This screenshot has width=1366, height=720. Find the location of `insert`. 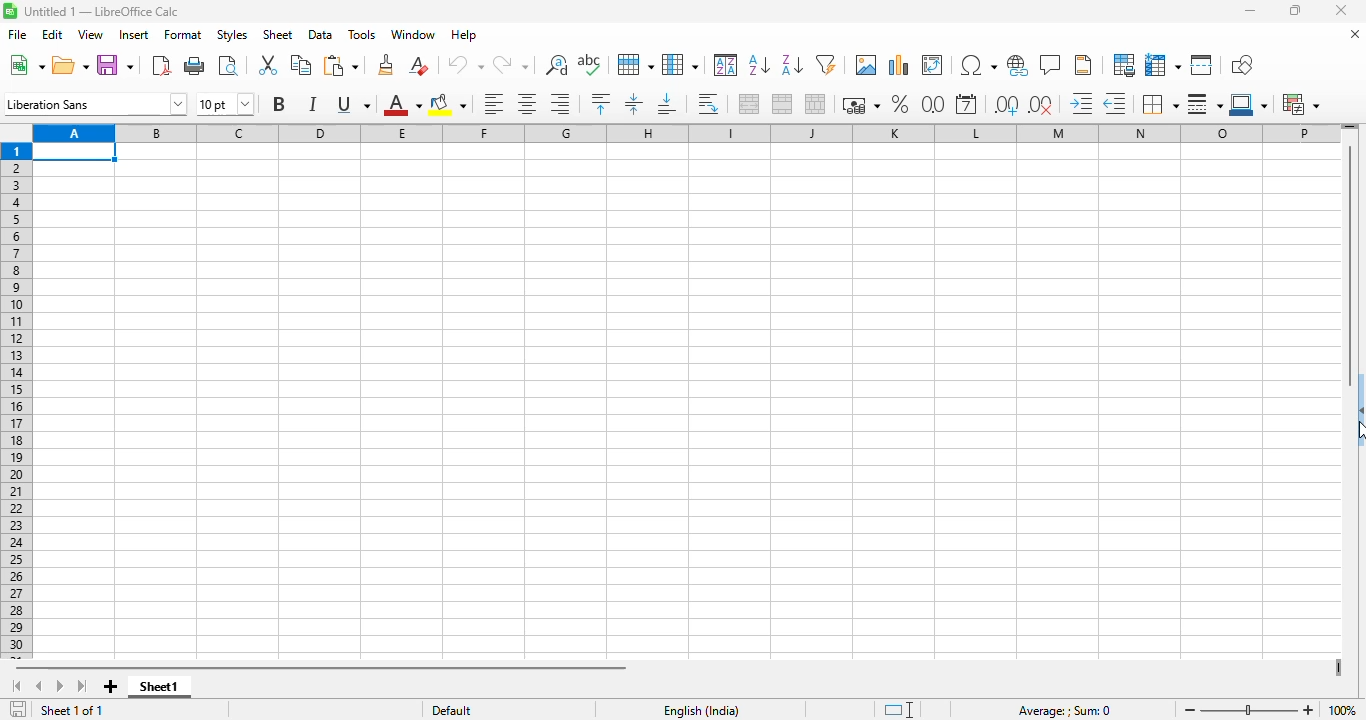

insert is located at coordinates (132, 35).